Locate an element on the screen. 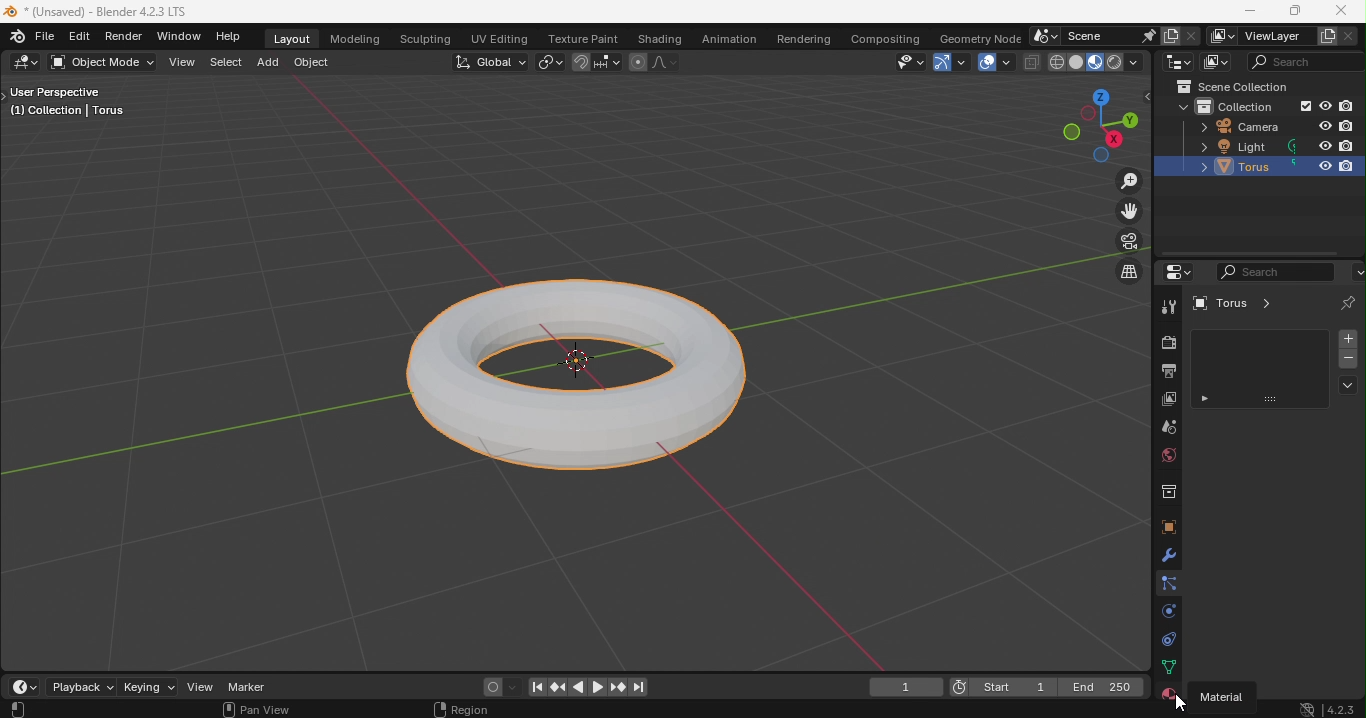 The height and width of the screenshot is (718, 1366). Jump to first/last frame in frame range is located at coordinates (532, 689).